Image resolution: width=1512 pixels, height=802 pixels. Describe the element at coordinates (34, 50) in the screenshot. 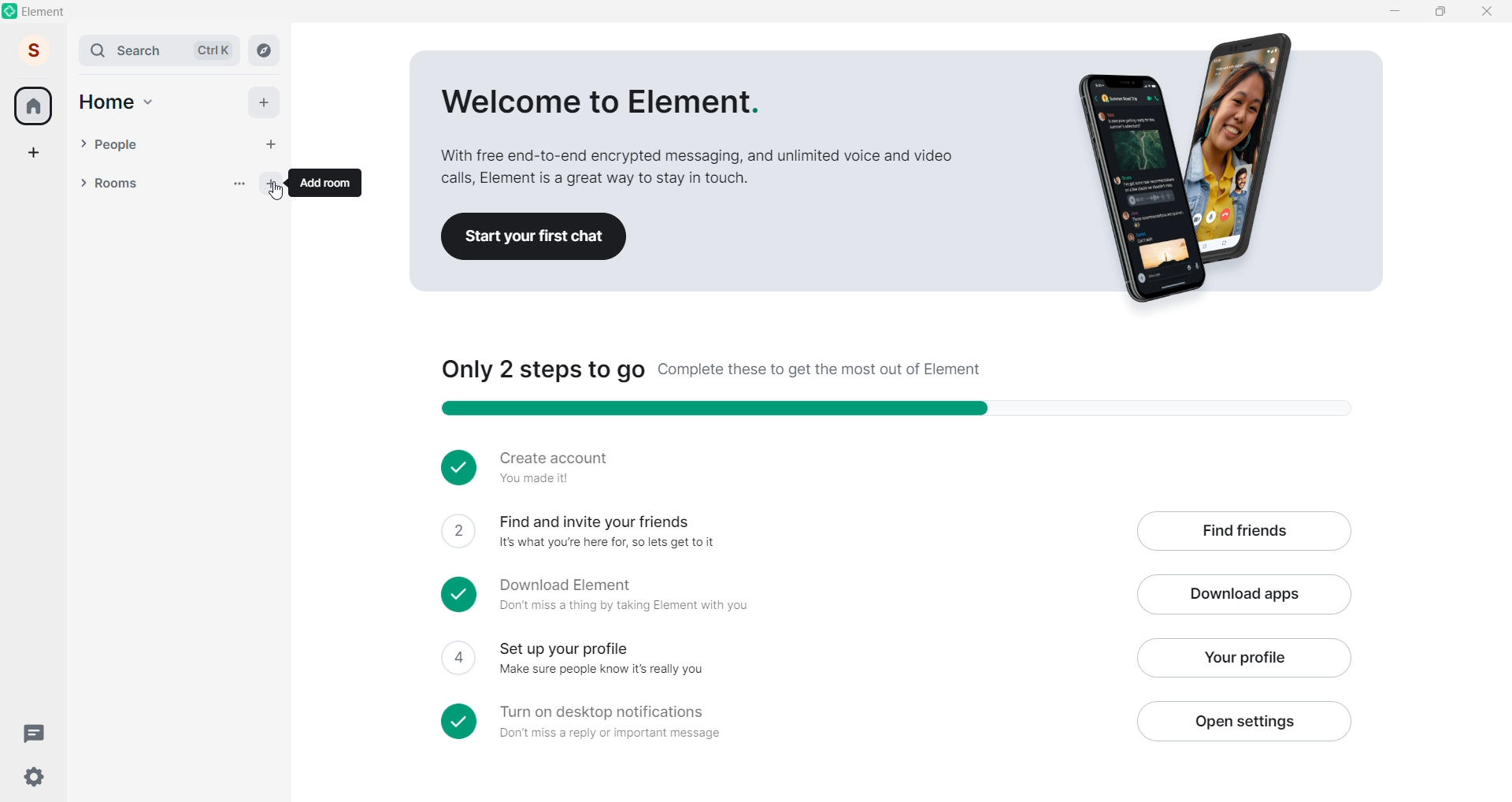

I see `Account` at that location.